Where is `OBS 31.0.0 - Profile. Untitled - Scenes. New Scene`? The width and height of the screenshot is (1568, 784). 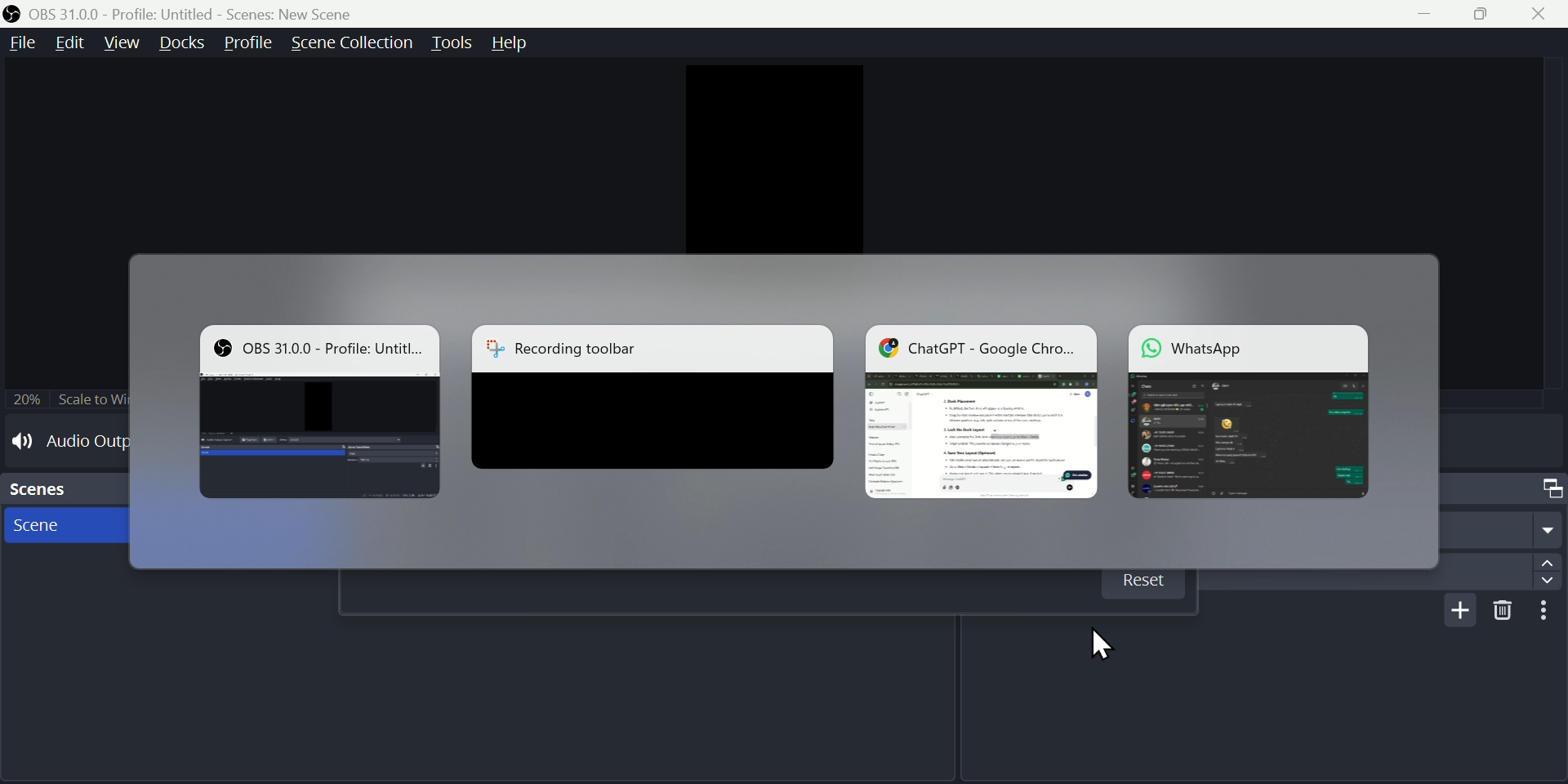
OBS 31.0.0 - Profile. Untitled - Scenes. New Scene is located at coordinates (234, 13).